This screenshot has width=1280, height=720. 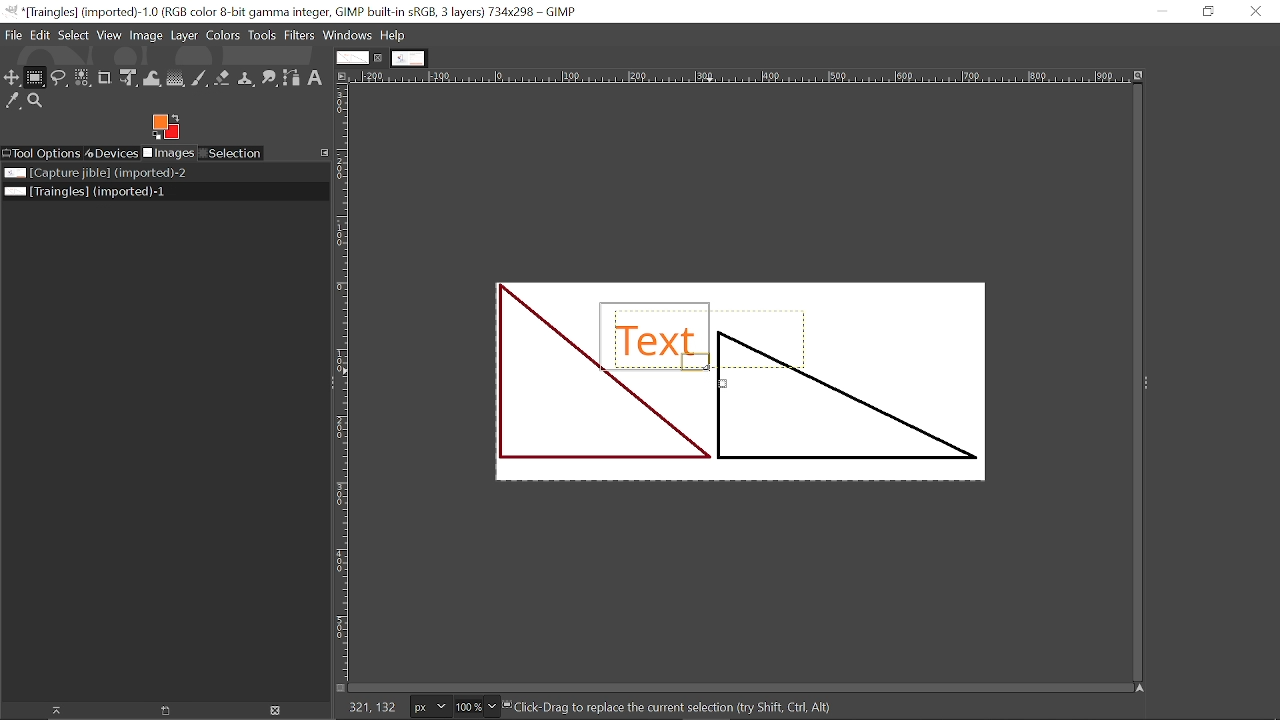 What do you see at coordinates (343, 384) in the screenshot?
I see `vertical label` at bounding box center [343, 384].